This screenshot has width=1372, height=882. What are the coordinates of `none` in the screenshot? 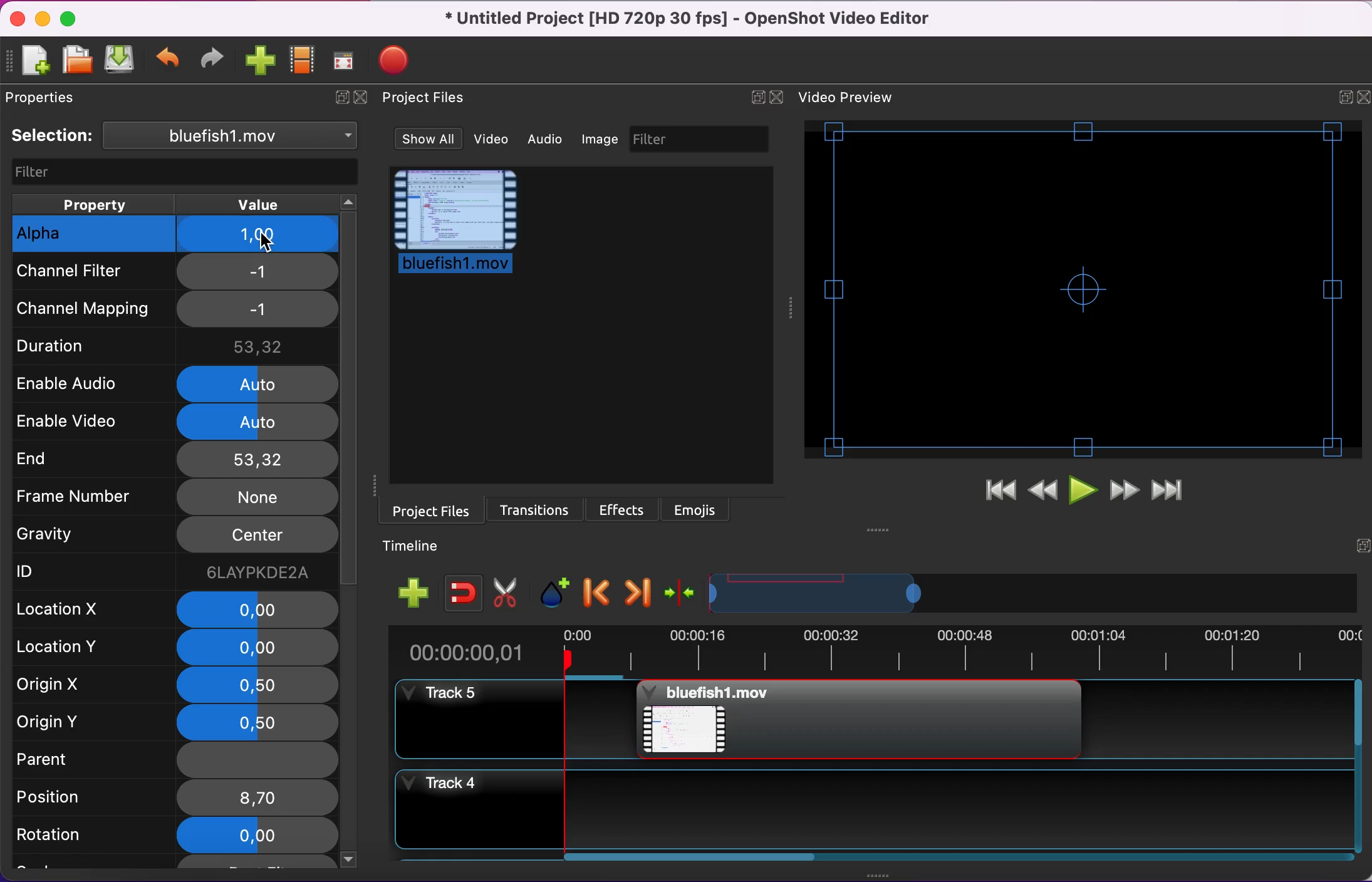 It's located at (256, 497).